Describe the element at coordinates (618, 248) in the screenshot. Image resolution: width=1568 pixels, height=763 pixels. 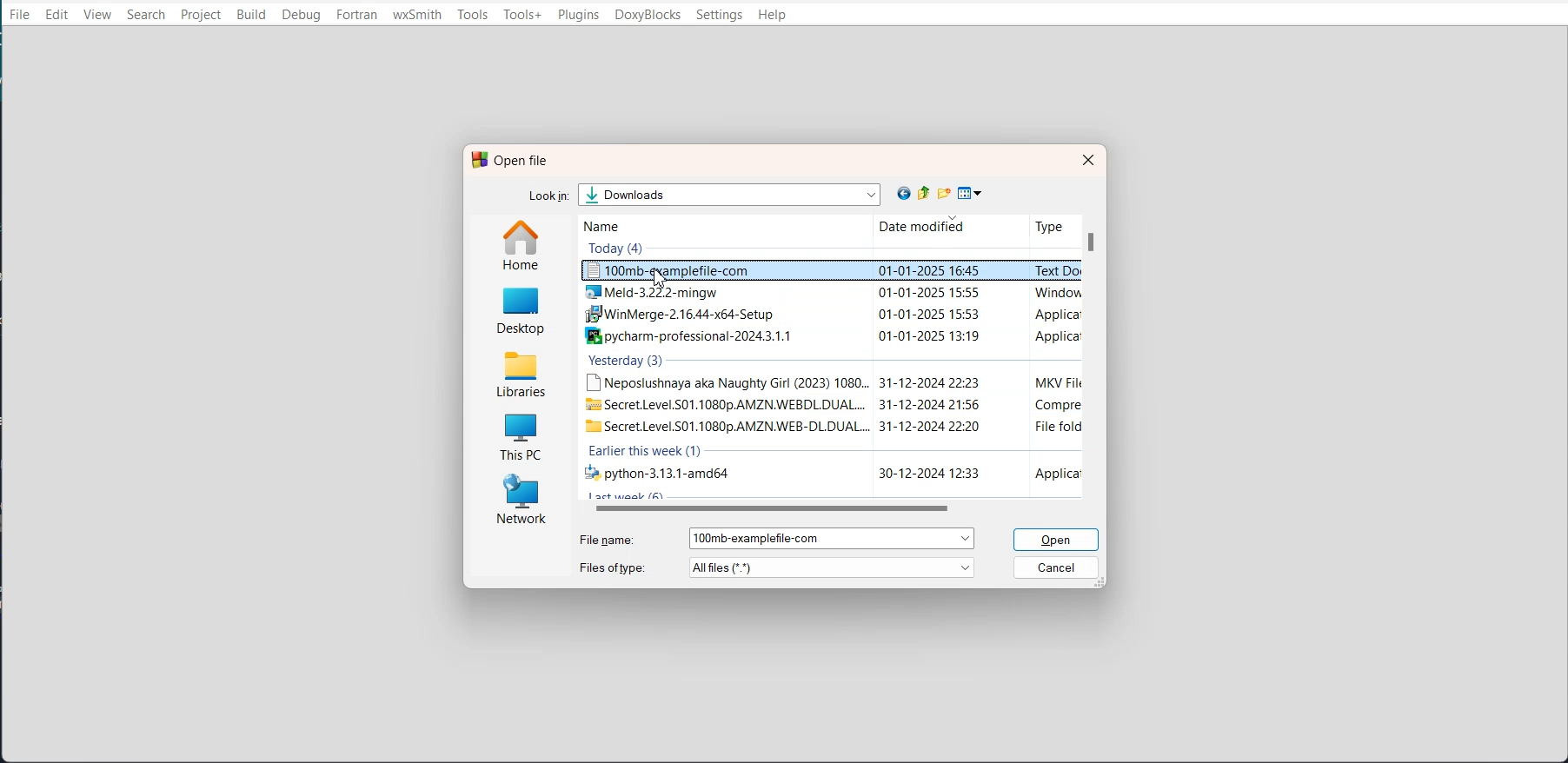
I see `today (4)` at that location.